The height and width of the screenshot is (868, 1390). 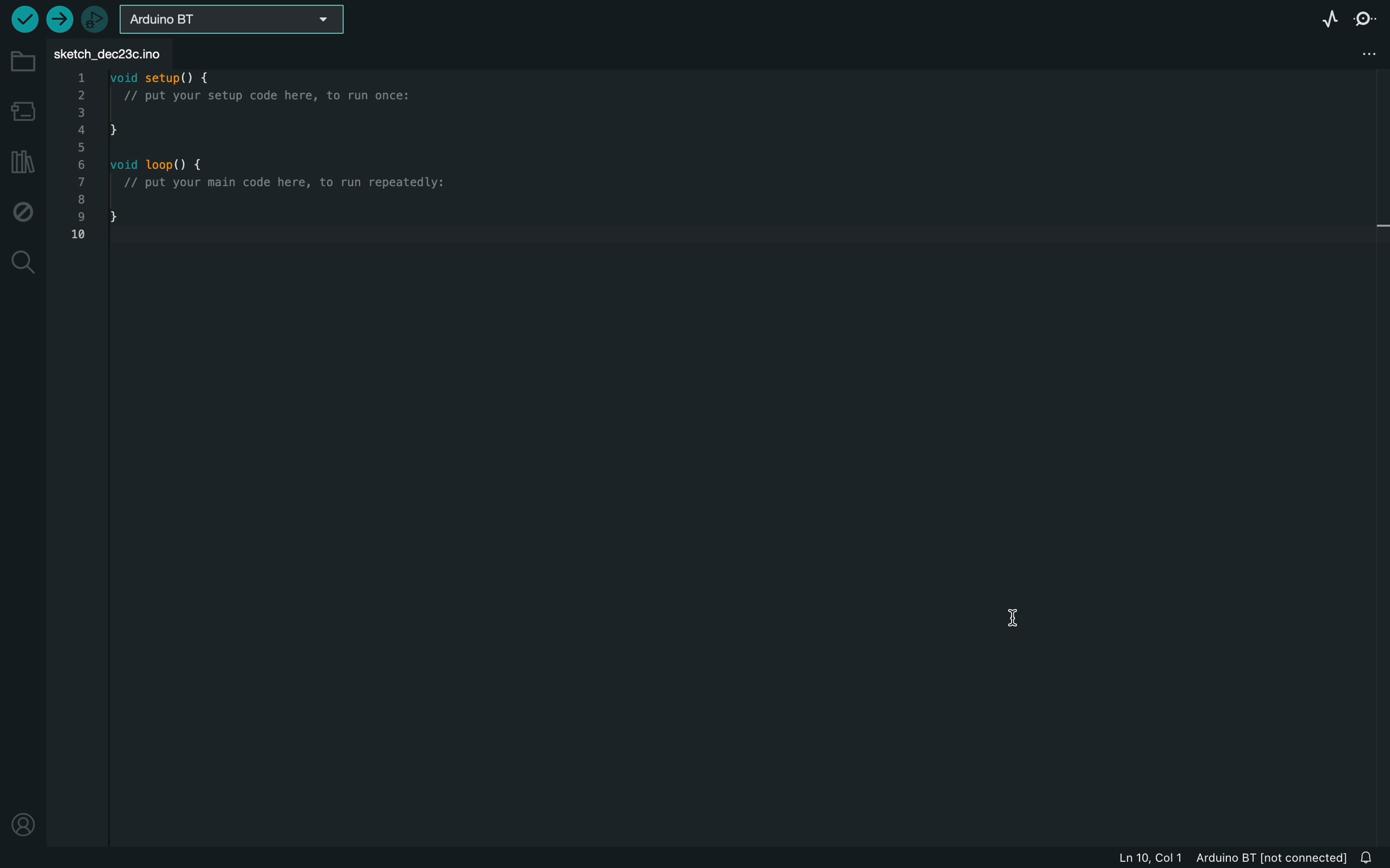 What do you see at coordinates (1365, 55) in the screenshot?
I see `tab manager` at bounding box center [1365, 55].